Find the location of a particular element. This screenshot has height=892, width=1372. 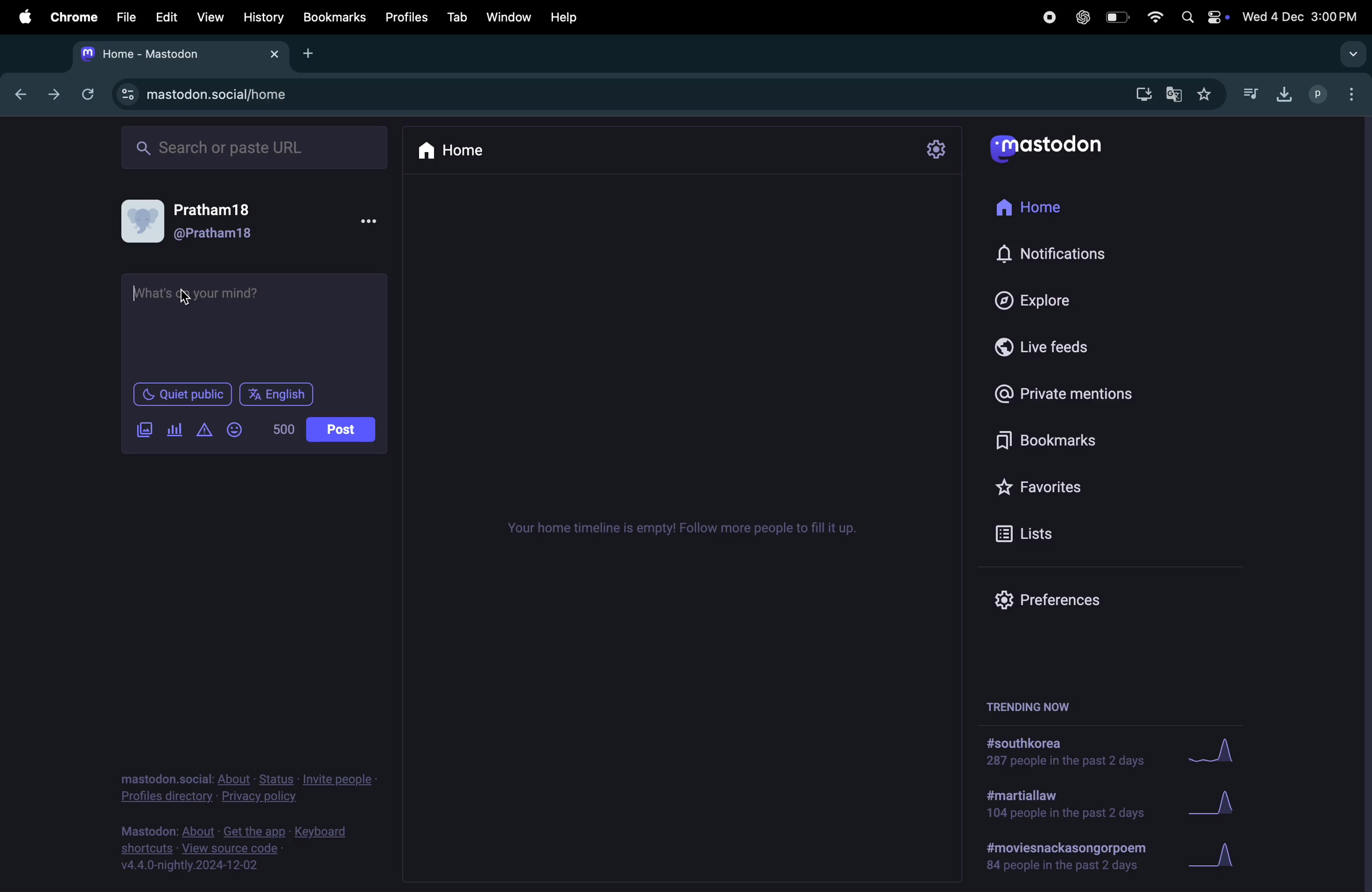

Bookmark is located at coordinates (1071, 439).